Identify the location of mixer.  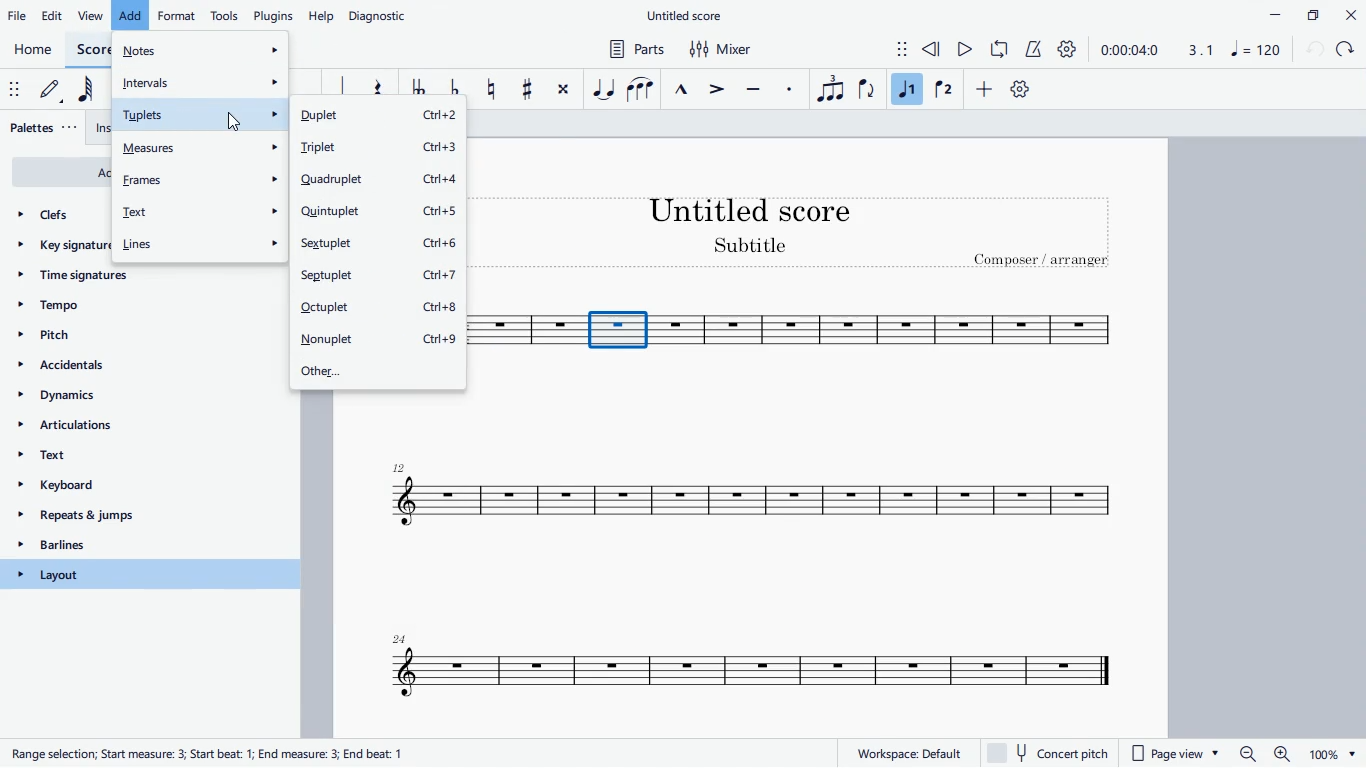
(723, 50).